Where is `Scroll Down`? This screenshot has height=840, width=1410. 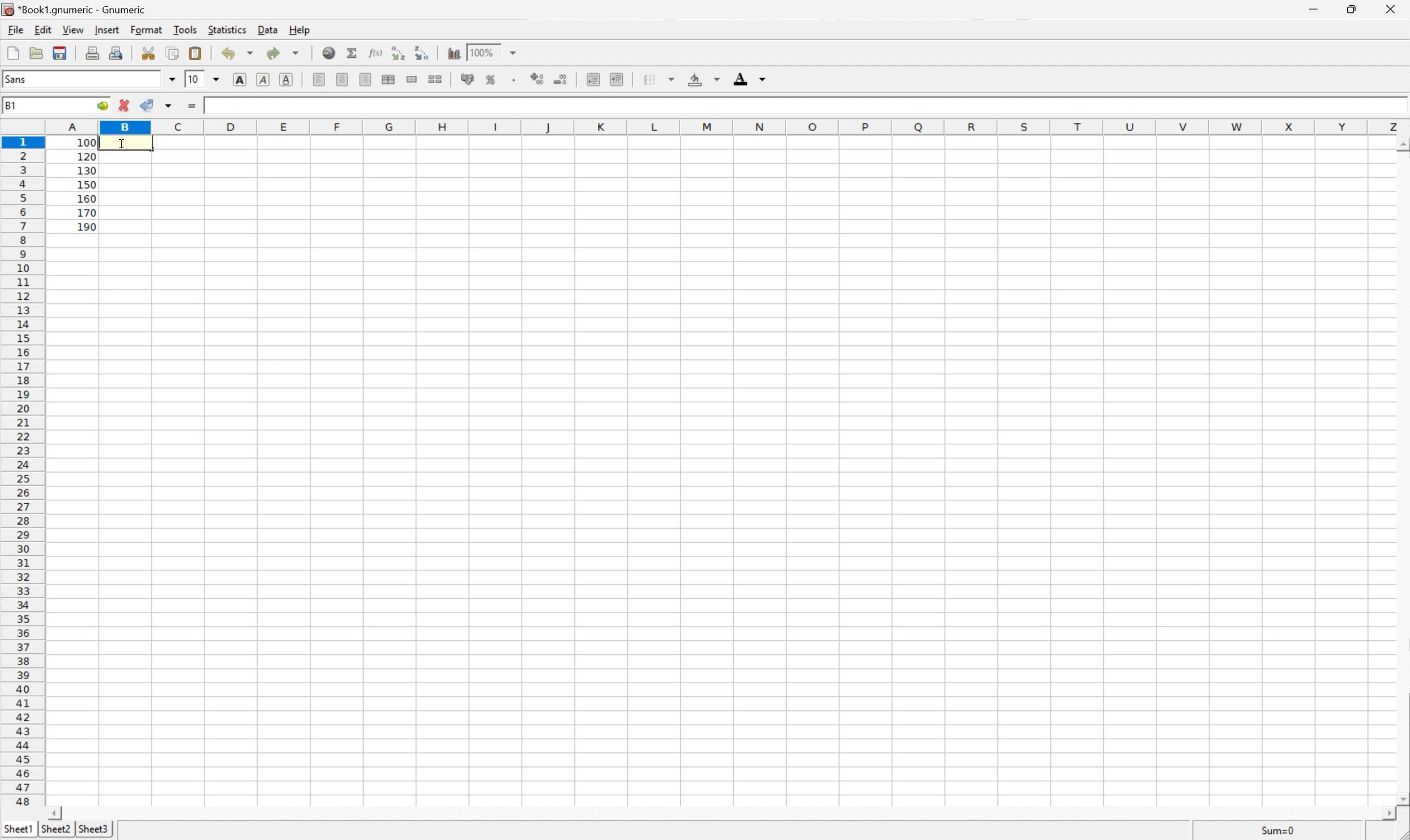 Scroll Down is located at coordinates (1401, 797).